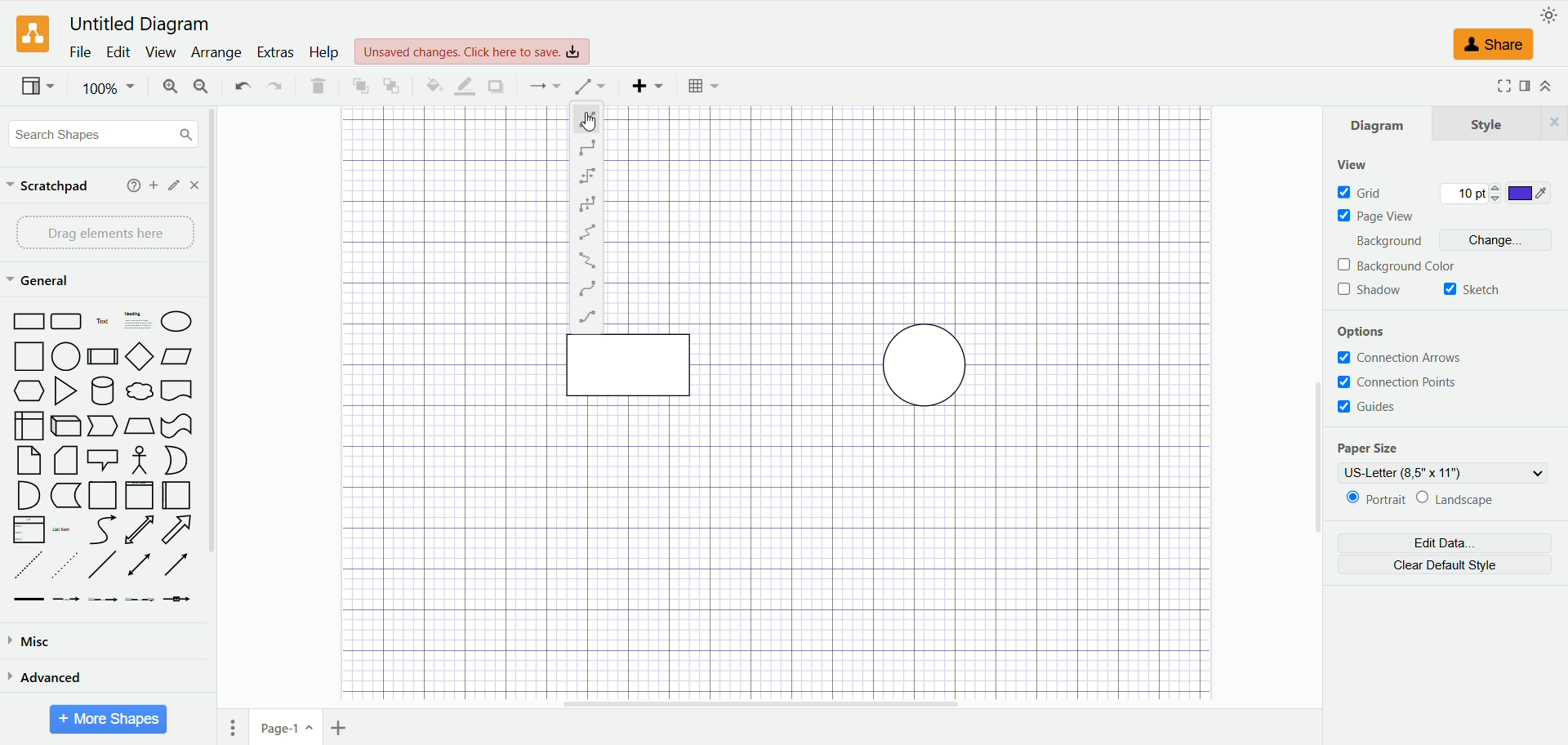 Image resolution: width=1568 pixels, height=745 pixels. I want to click on logo, so click(31, 34).